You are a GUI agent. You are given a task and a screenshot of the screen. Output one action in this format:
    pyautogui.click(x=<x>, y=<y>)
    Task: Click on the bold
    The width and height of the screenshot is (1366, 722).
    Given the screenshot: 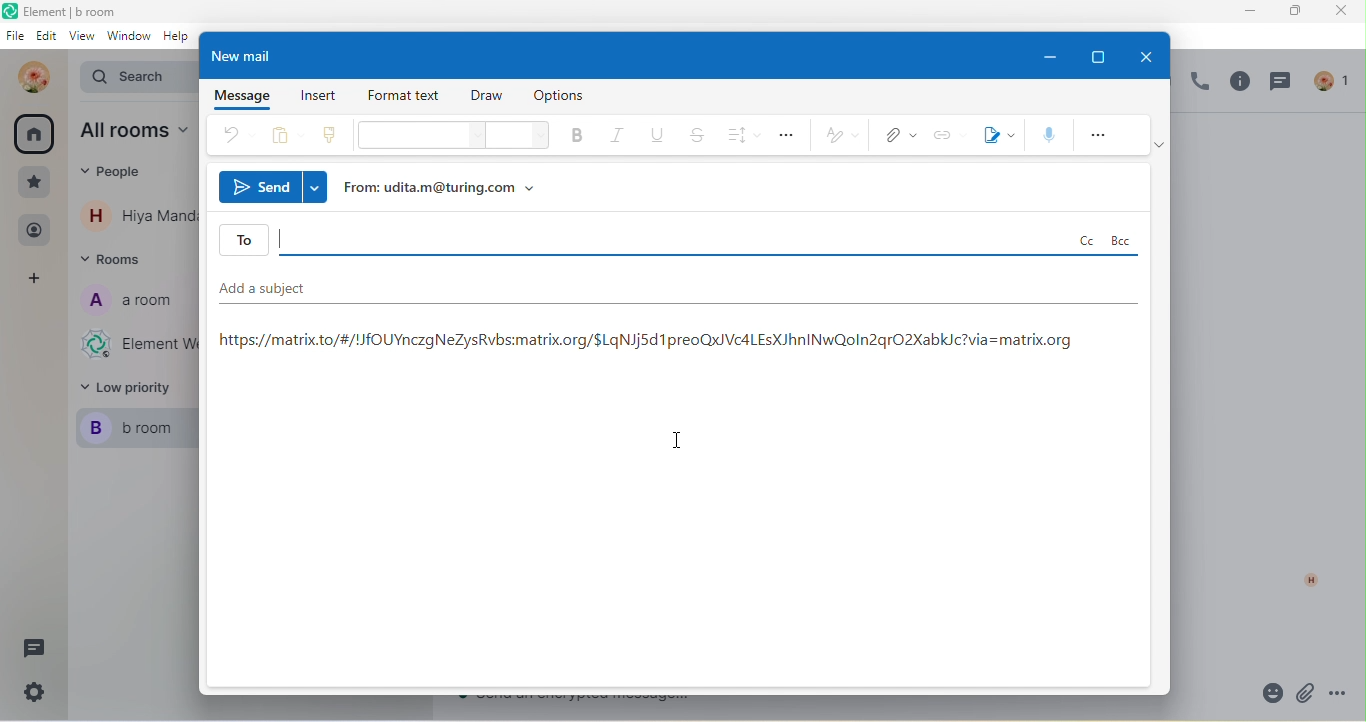 What is the action you would take?
    pyautogui.click(x=572, y=138)
    